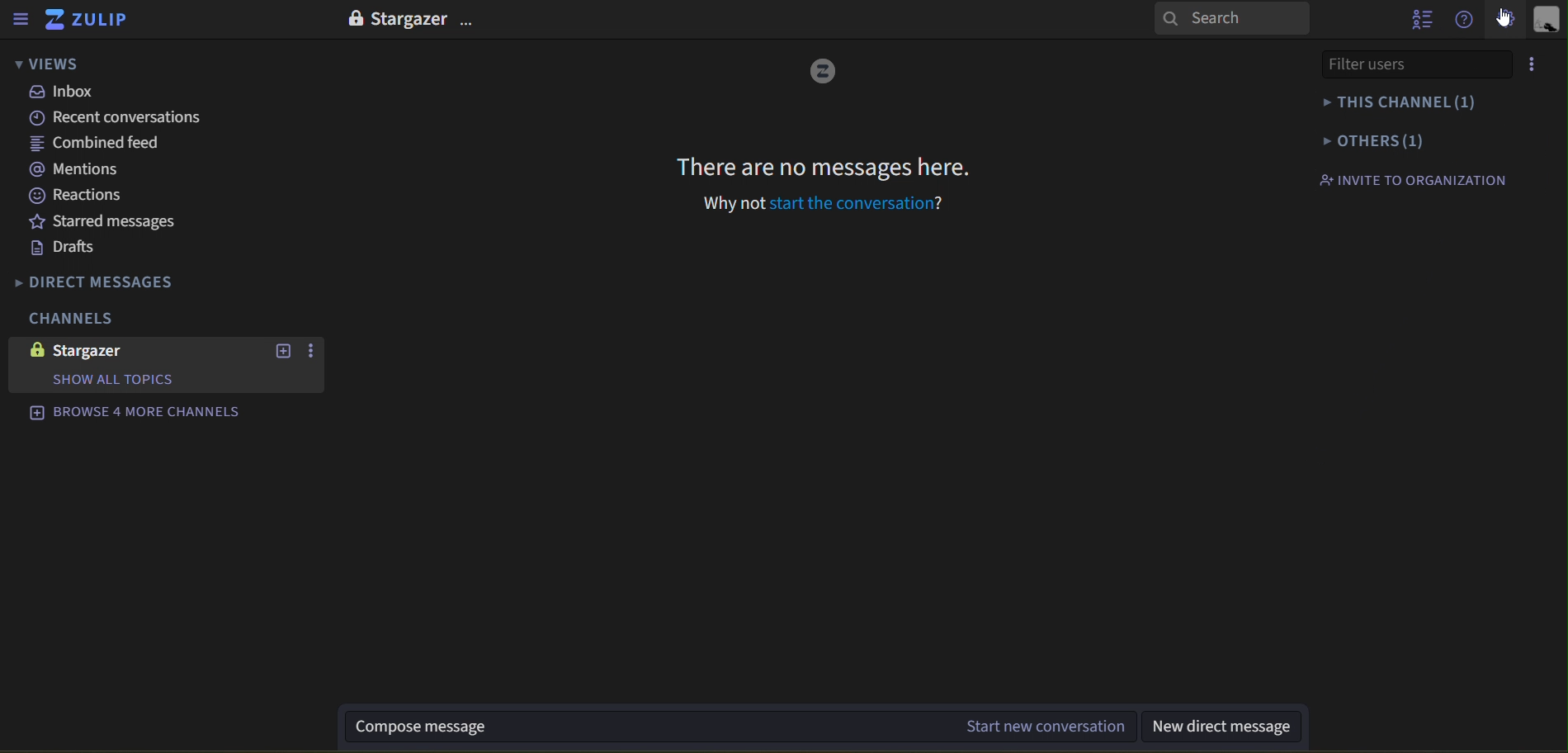 Image resolution: width=1568 pixels, height=753 pixels. What do you see at coordinates (125, 281) in the screenshot?
I see `direct messages` at bounding box center [125, 281].